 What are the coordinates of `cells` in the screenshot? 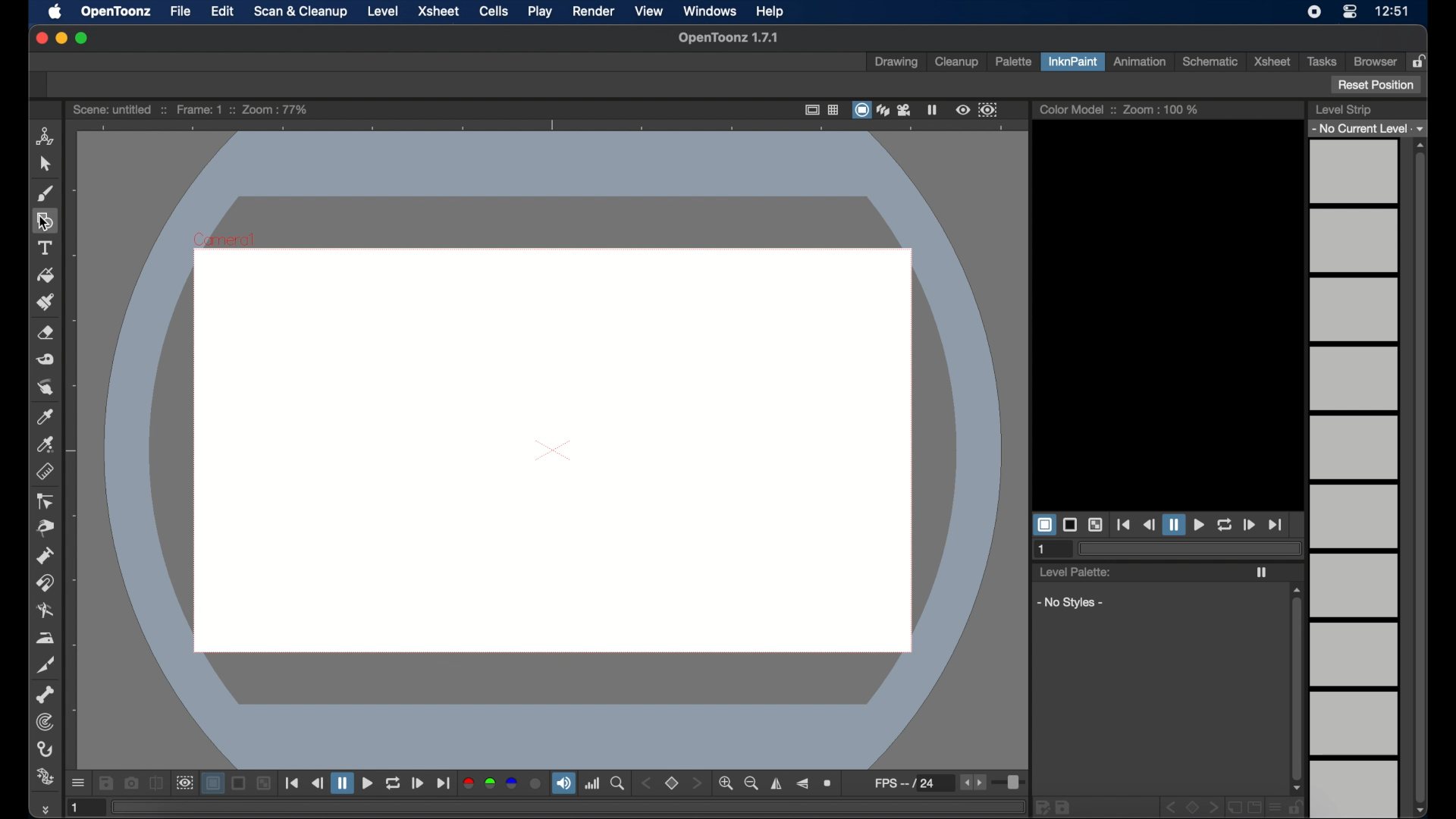 It's located at (492, 11).